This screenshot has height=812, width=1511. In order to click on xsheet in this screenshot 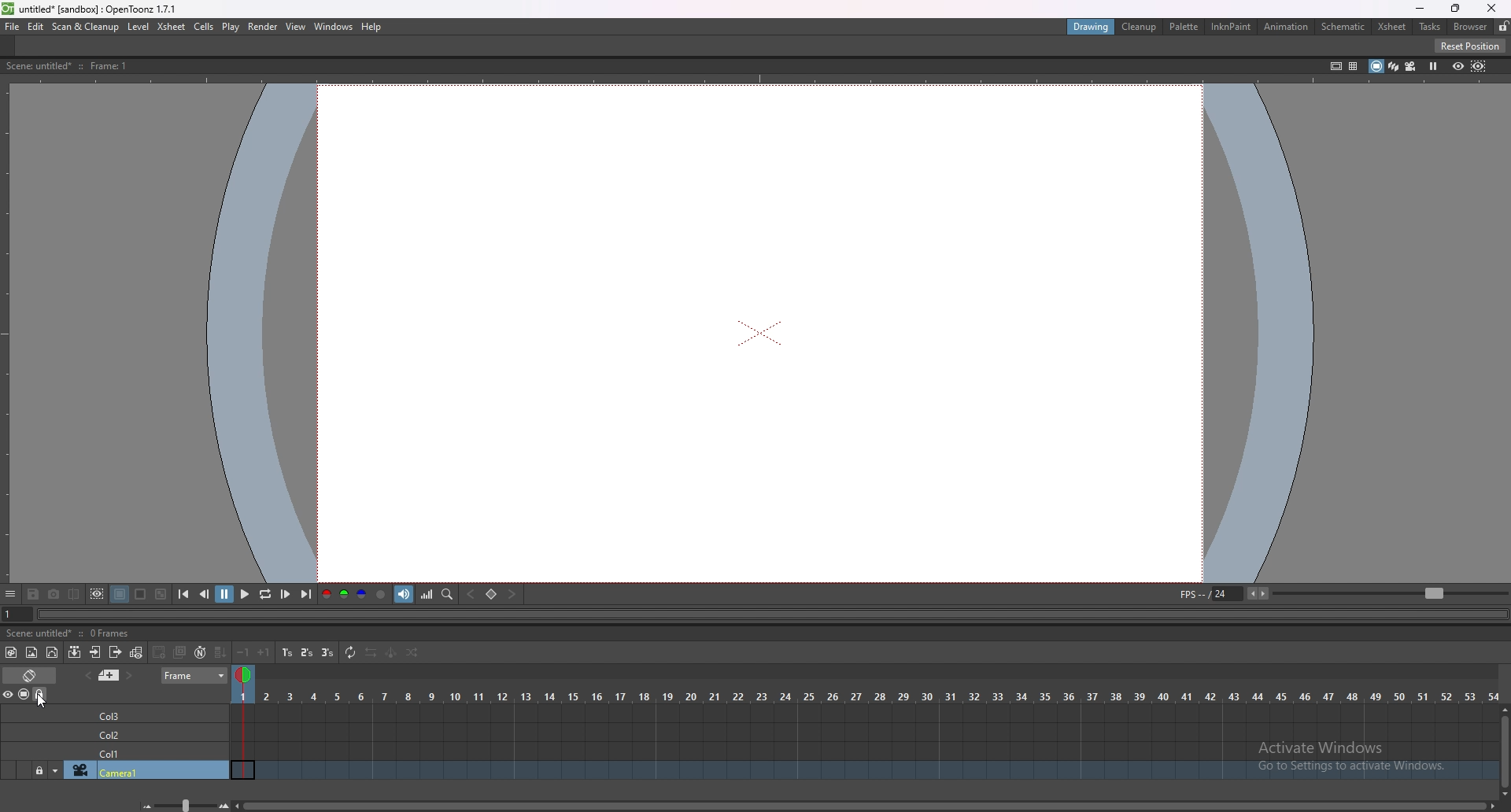, I will do `click(172, 26)`.